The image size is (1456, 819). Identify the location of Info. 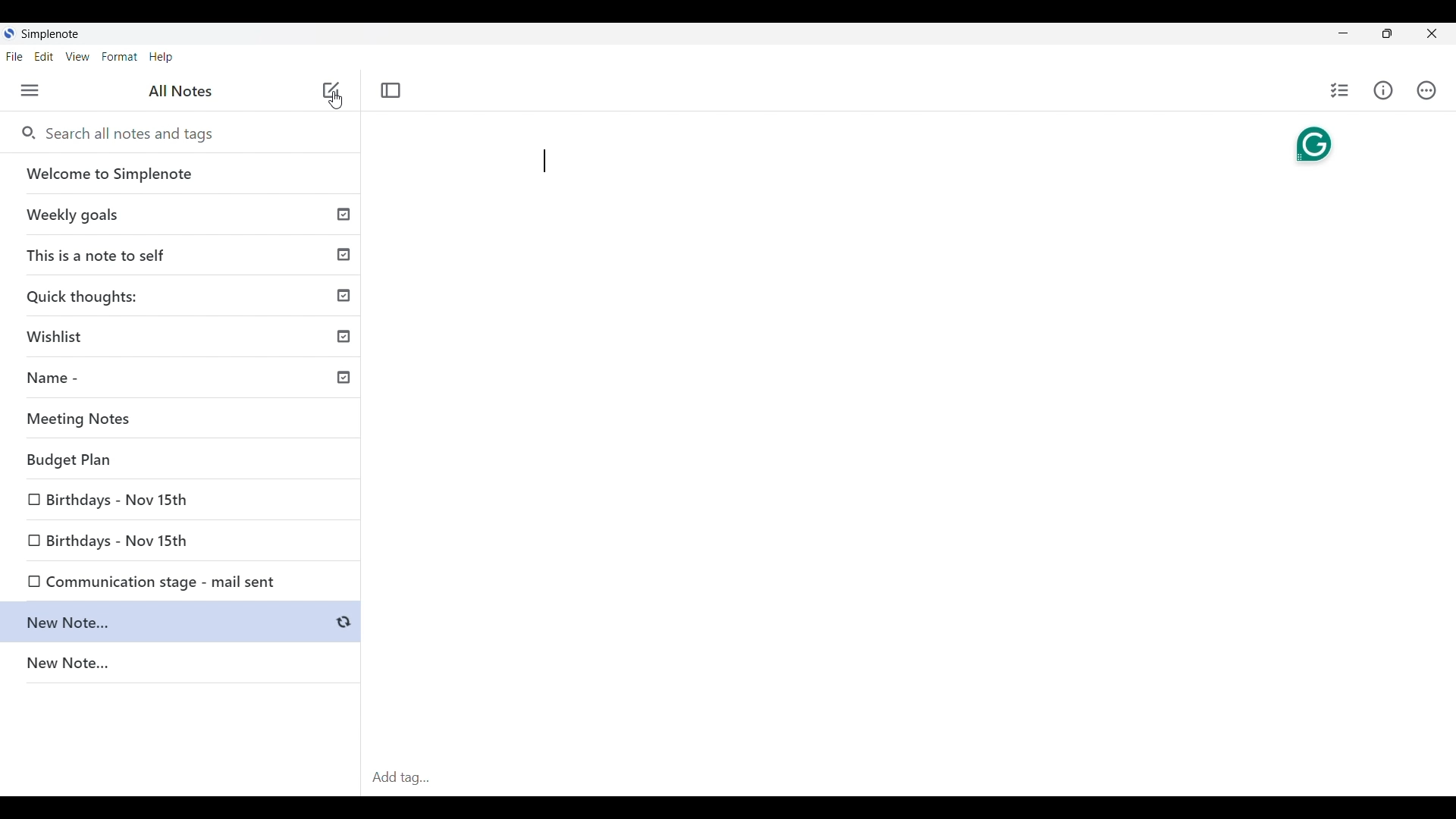
(1384, 90).